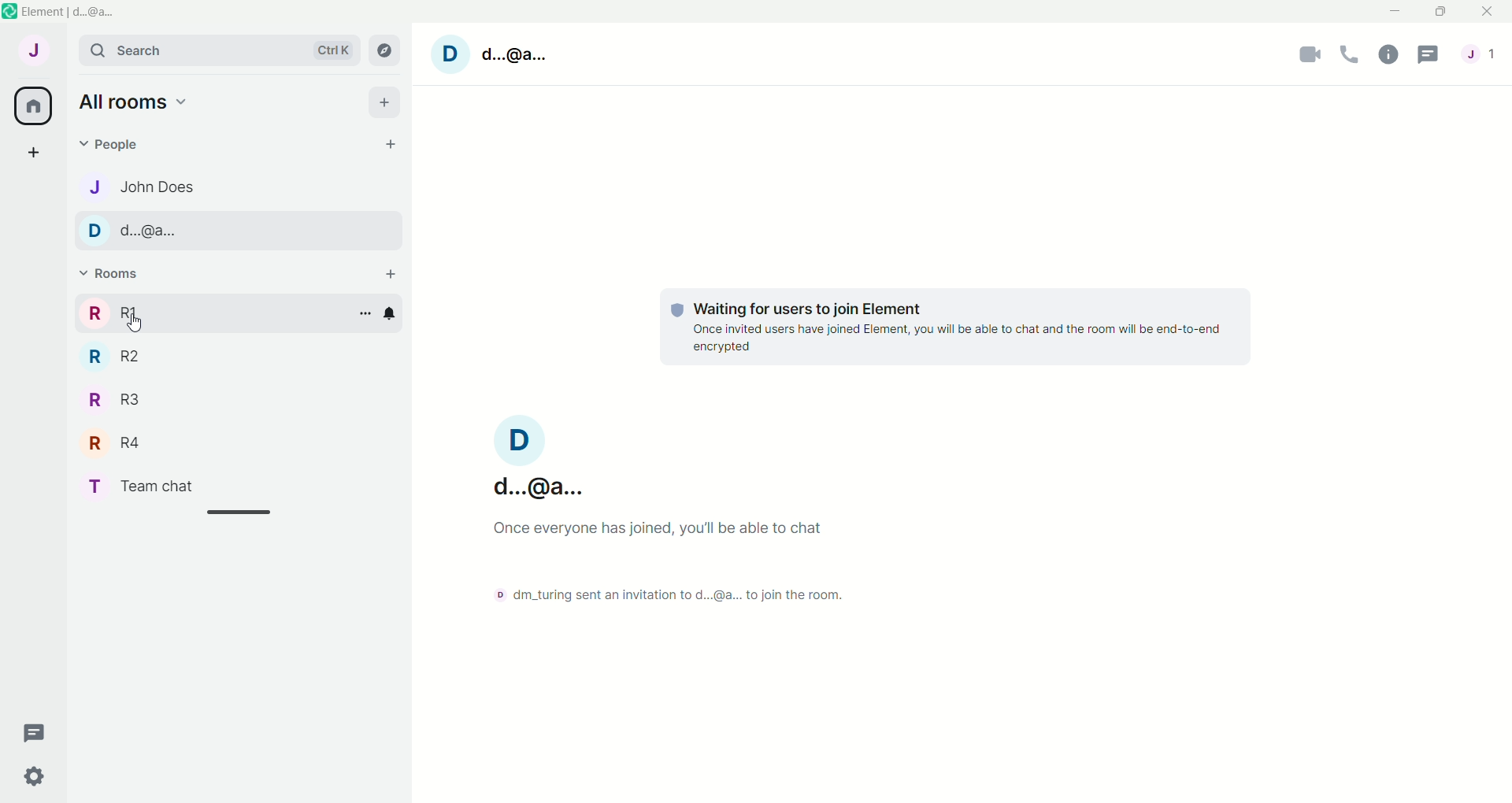 The image size is (1512, 803). I want to click on all rooms, so click(143, 102).